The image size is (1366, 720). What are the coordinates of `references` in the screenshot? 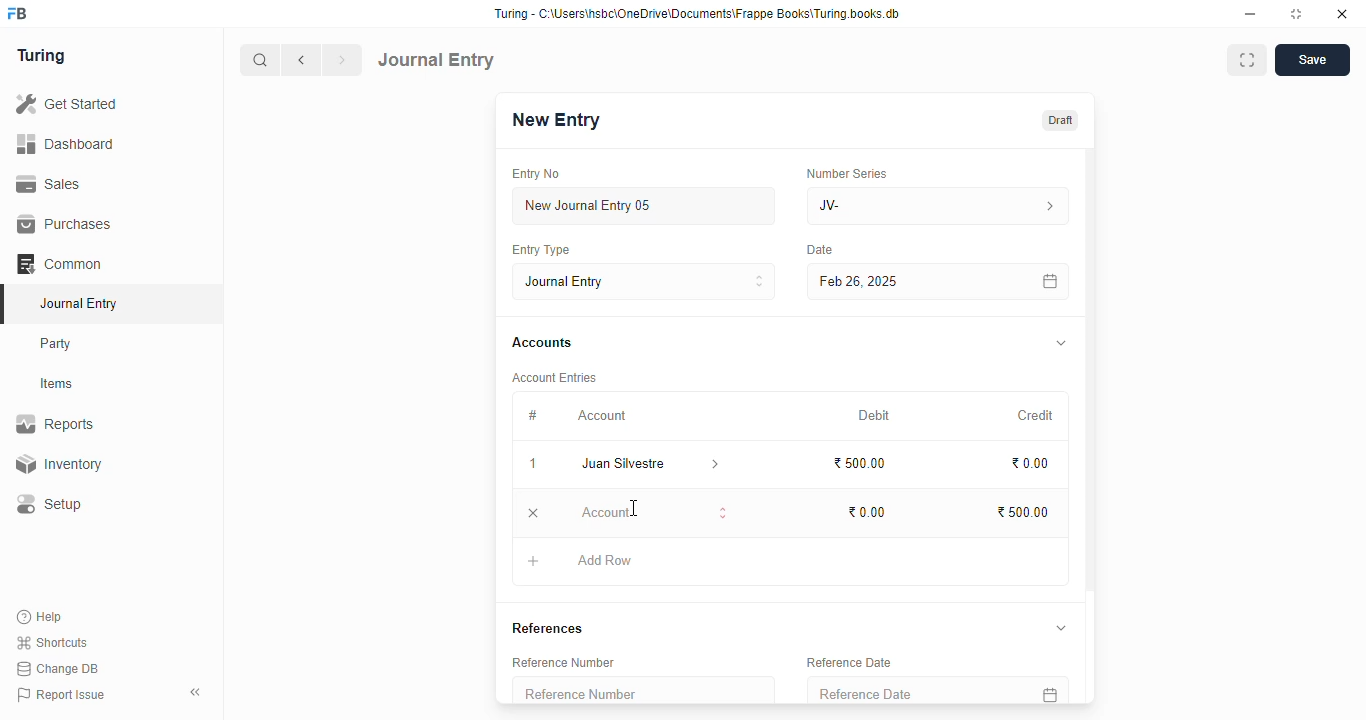 It's located at (547, 628).